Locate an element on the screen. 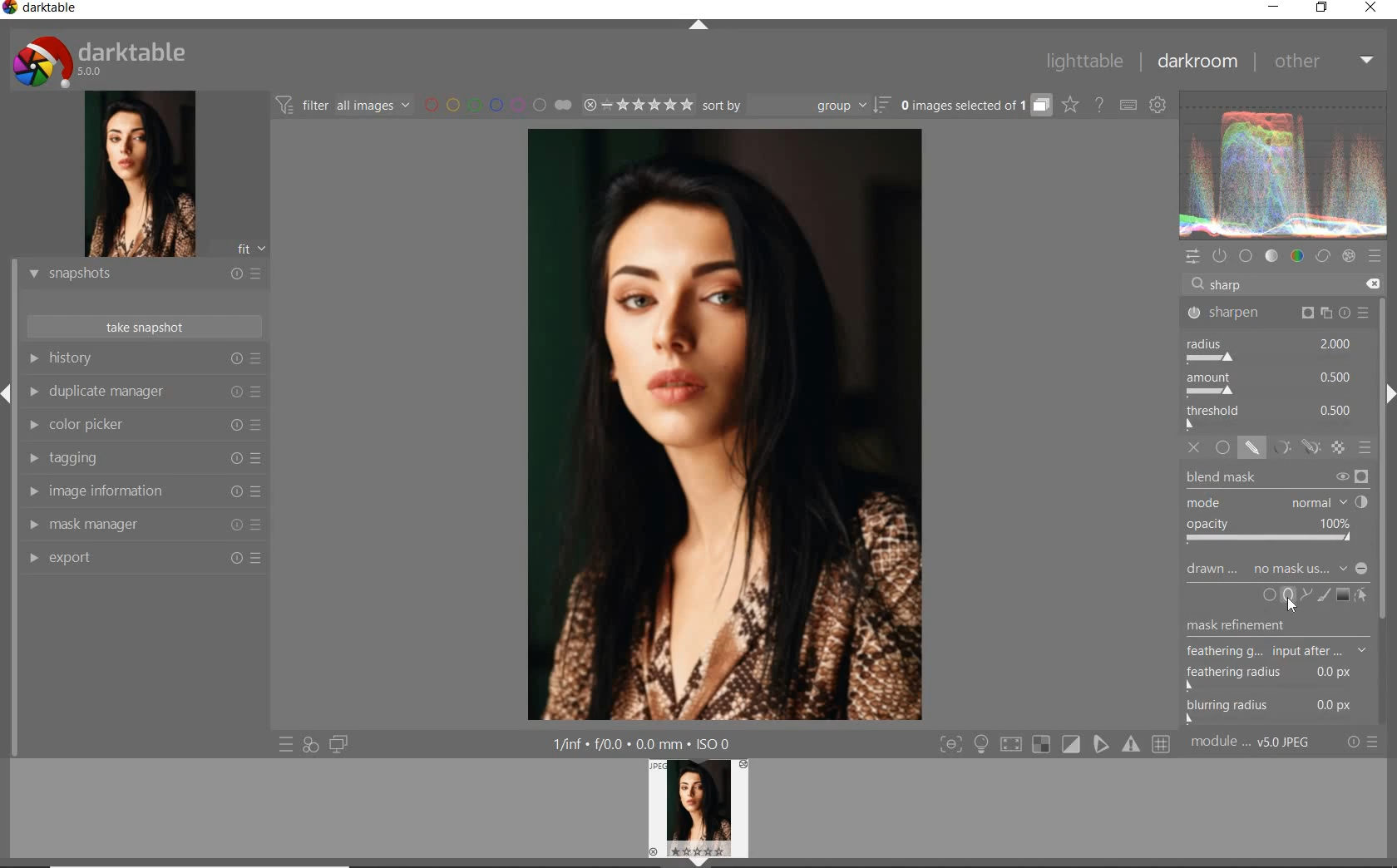  click to change overlays on thumbnails is located at coordinates (1071, 106).